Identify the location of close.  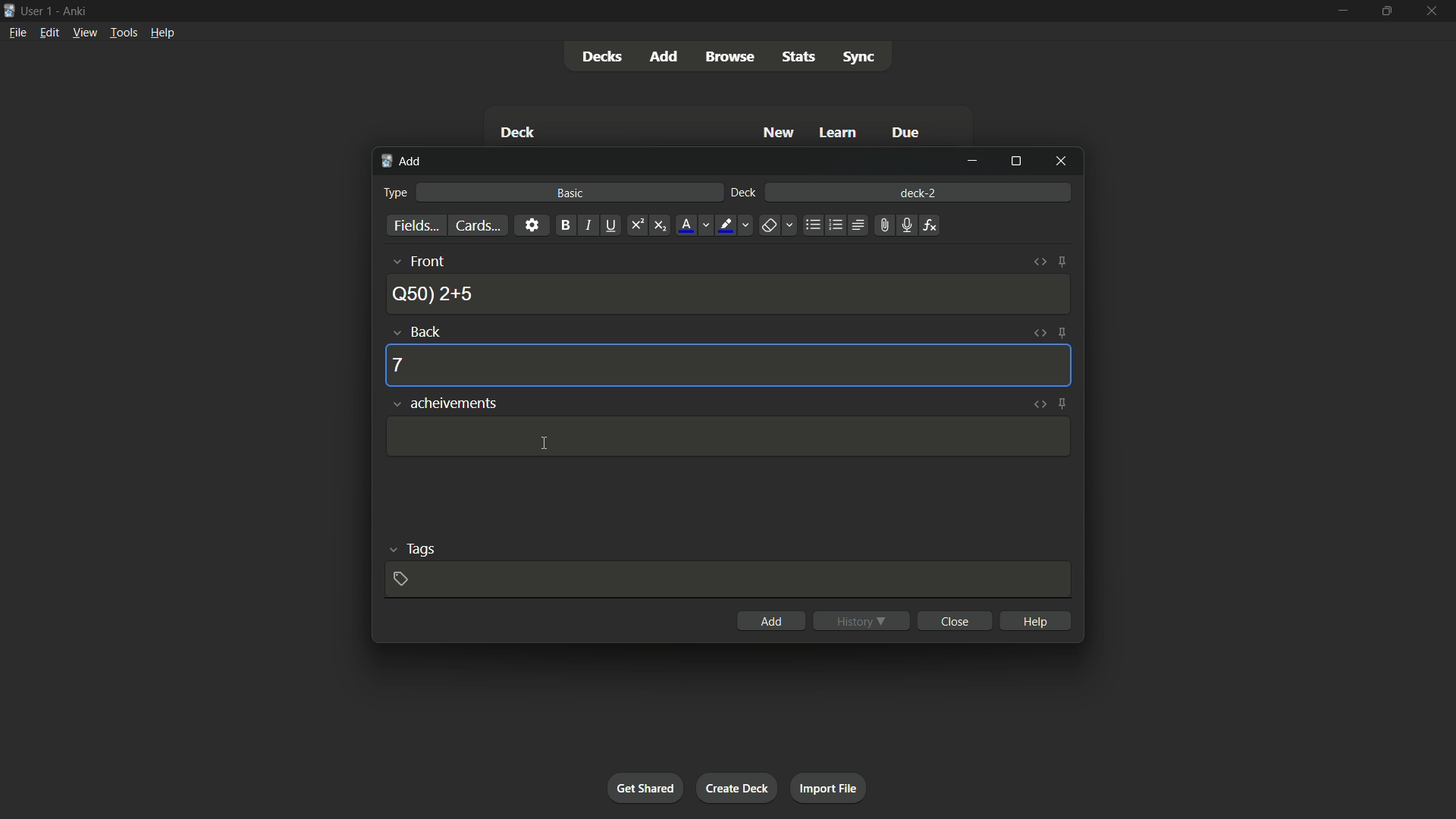
(954, 620).